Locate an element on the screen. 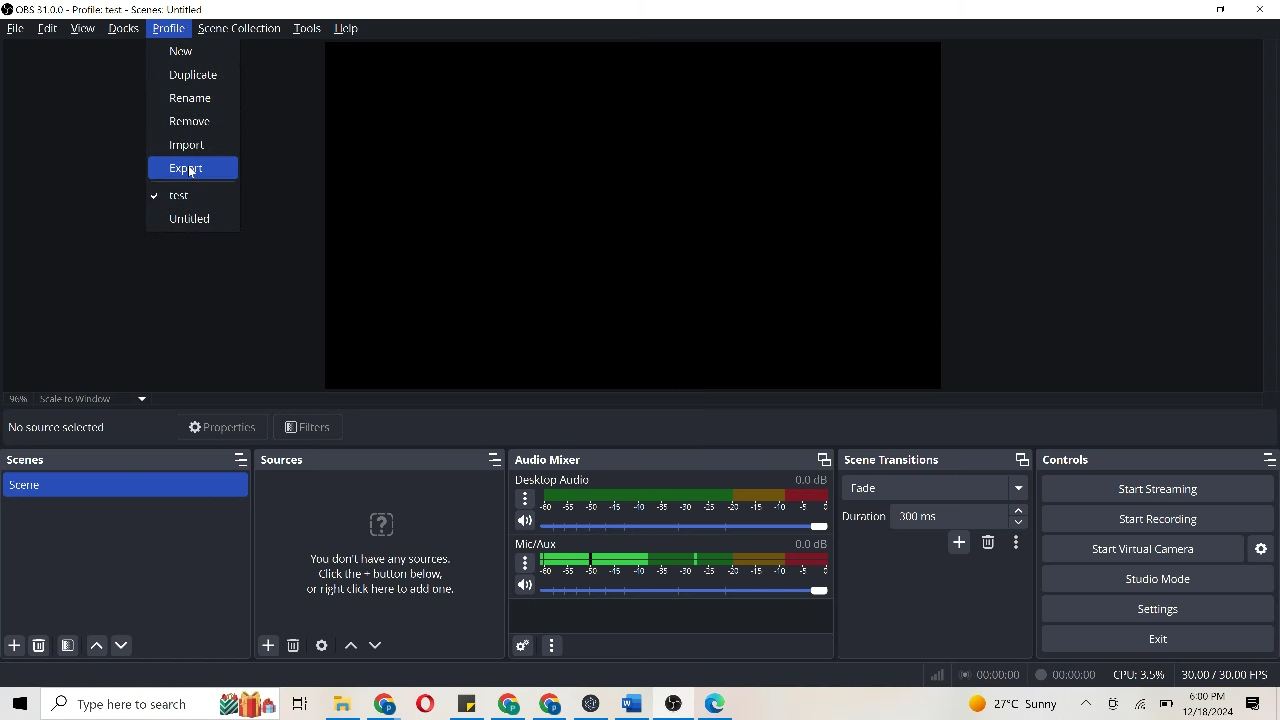  recordings time is located at coordinates (1031, 673).